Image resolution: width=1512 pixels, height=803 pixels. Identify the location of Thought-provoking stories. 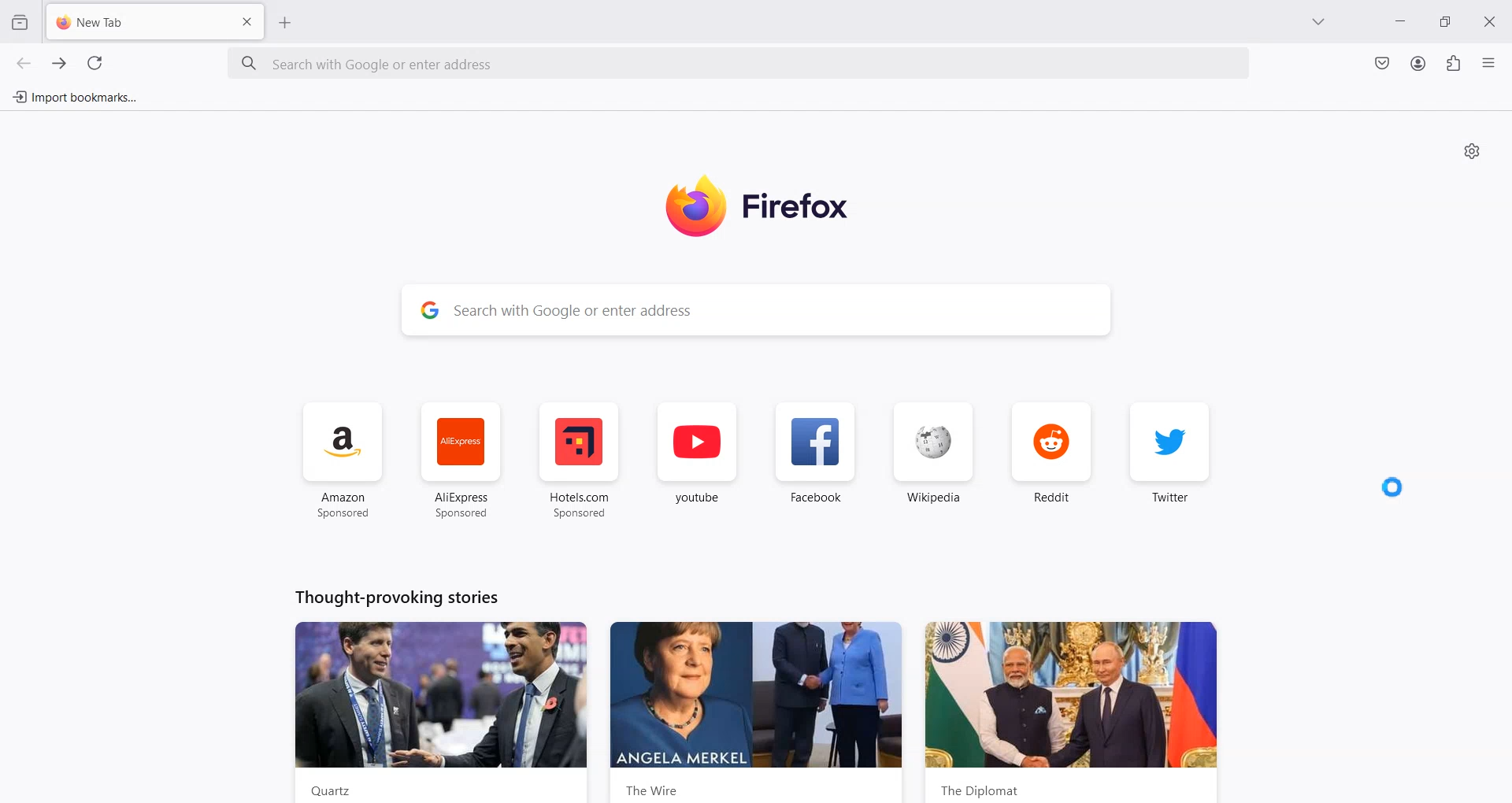
(396, 596).